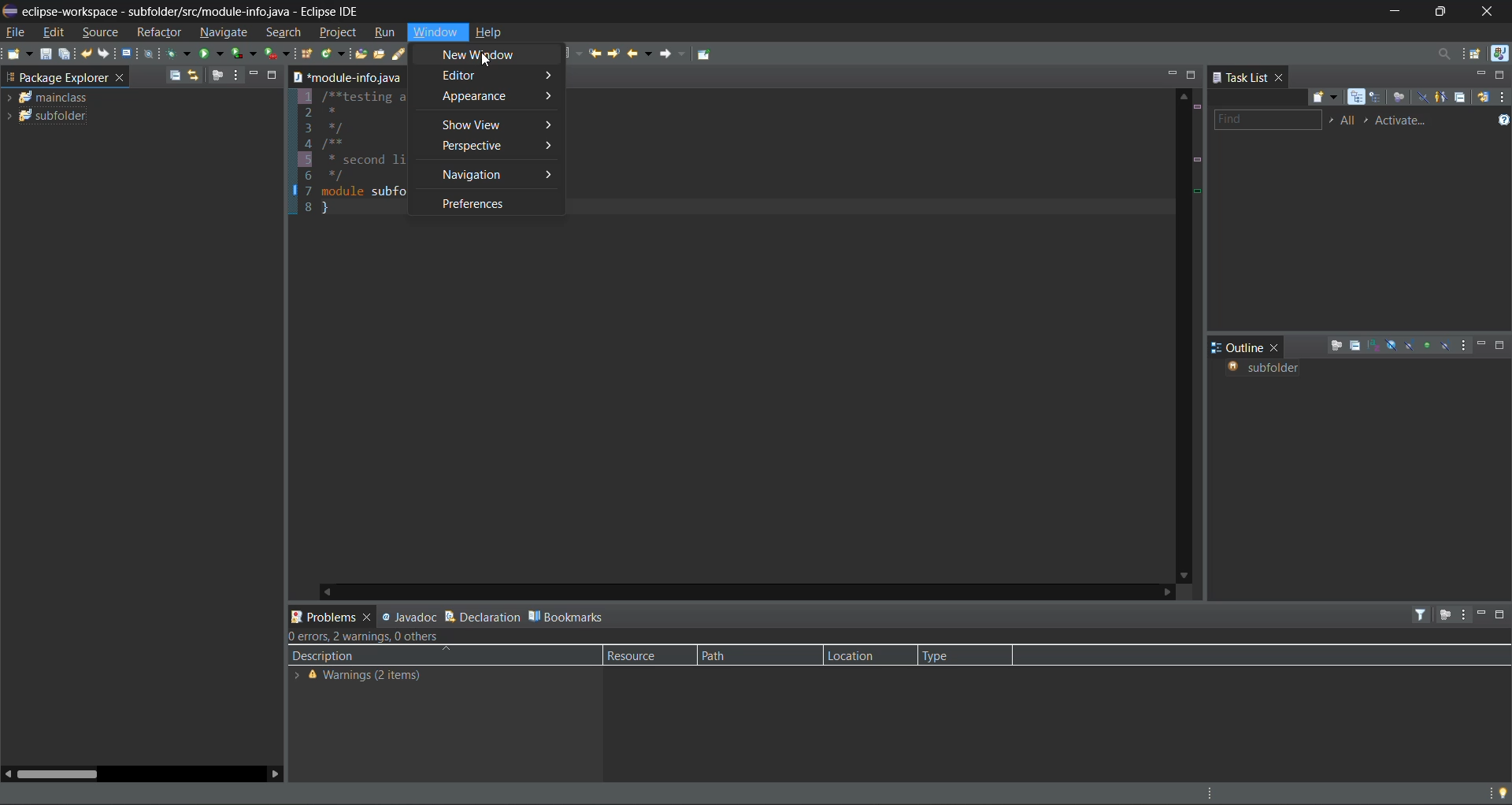  What do you see at coordinates (87, 54) in the screenshot?
I see `undo` at bounding box center [87, 54].